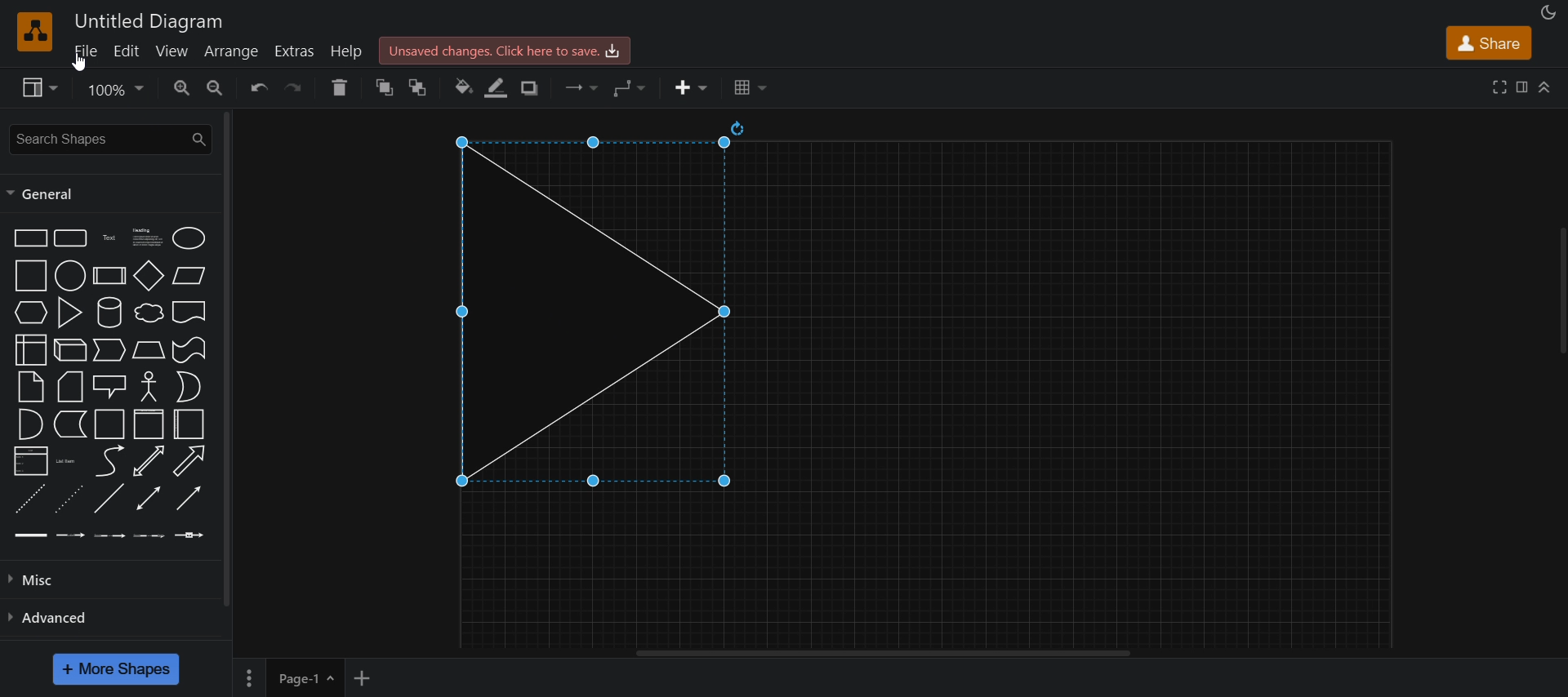 This screenshot has width=1568, height=697. Describe the element at coordinates (71, 238) in the screenshot. I see `rounded rectangle` at that location.